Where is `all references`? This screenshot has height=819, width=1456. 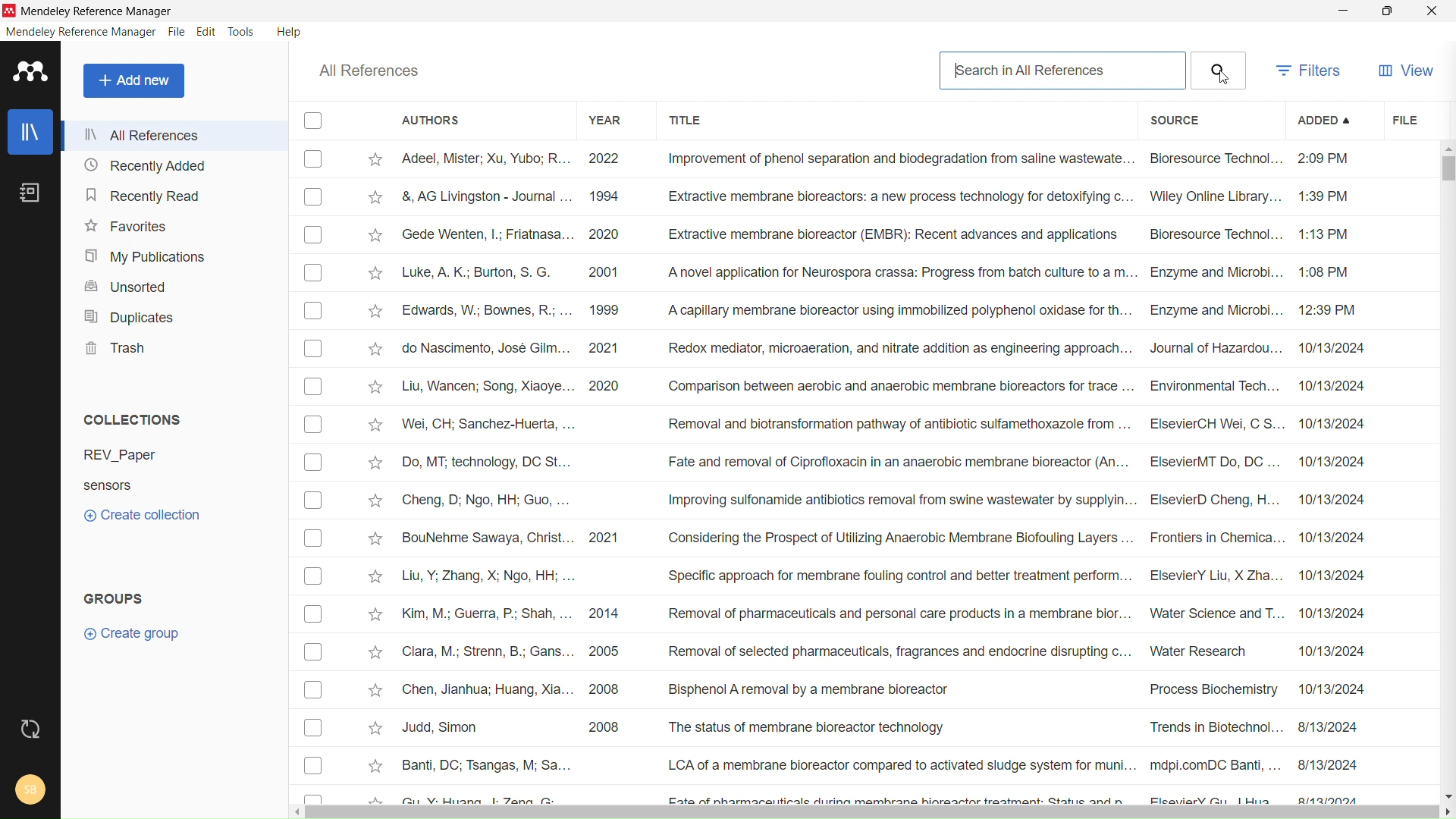 all references is located at coordinates (370, 70).